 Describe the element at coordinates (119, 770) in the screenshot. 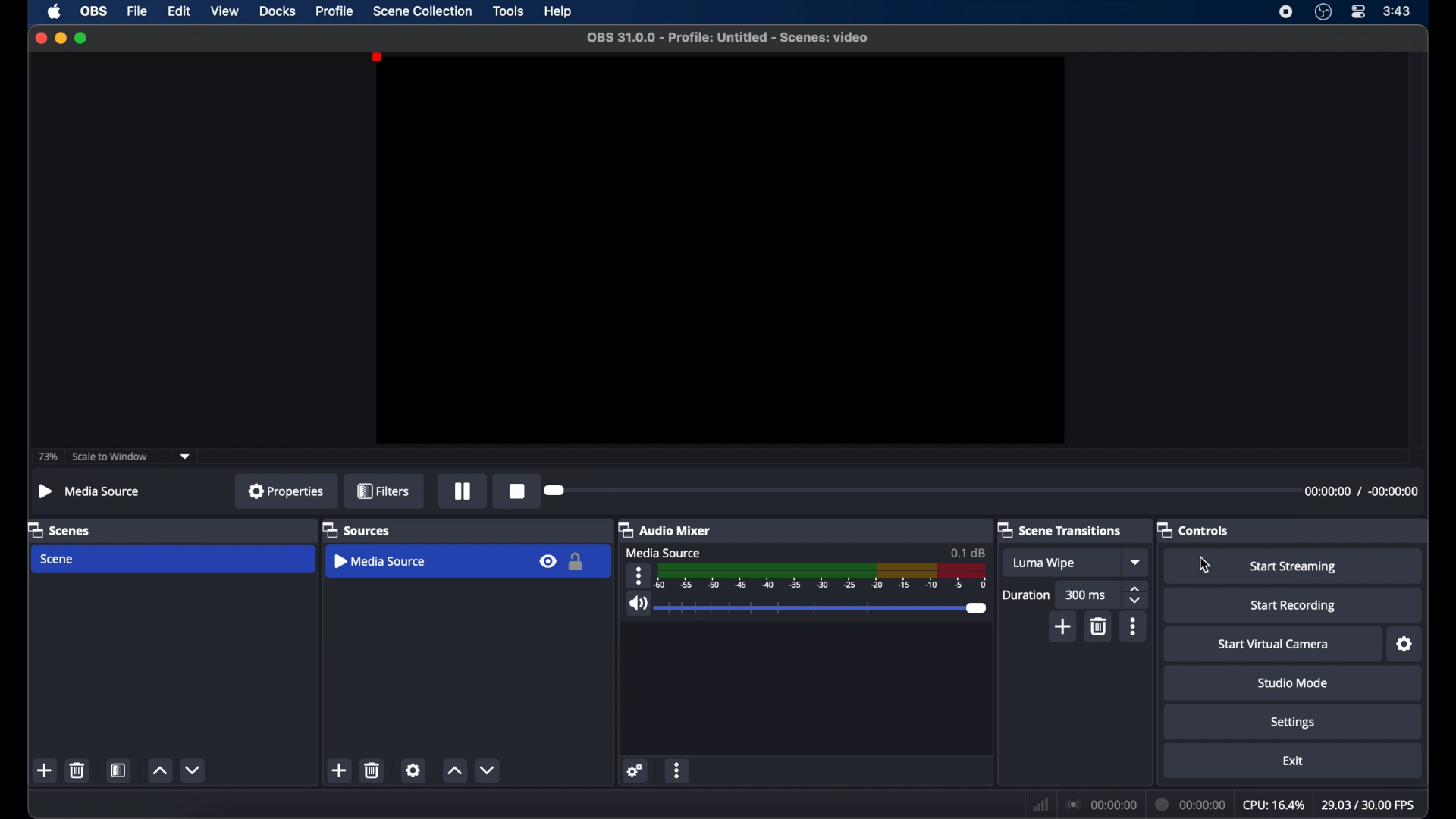

I see `scene filters` at that location.